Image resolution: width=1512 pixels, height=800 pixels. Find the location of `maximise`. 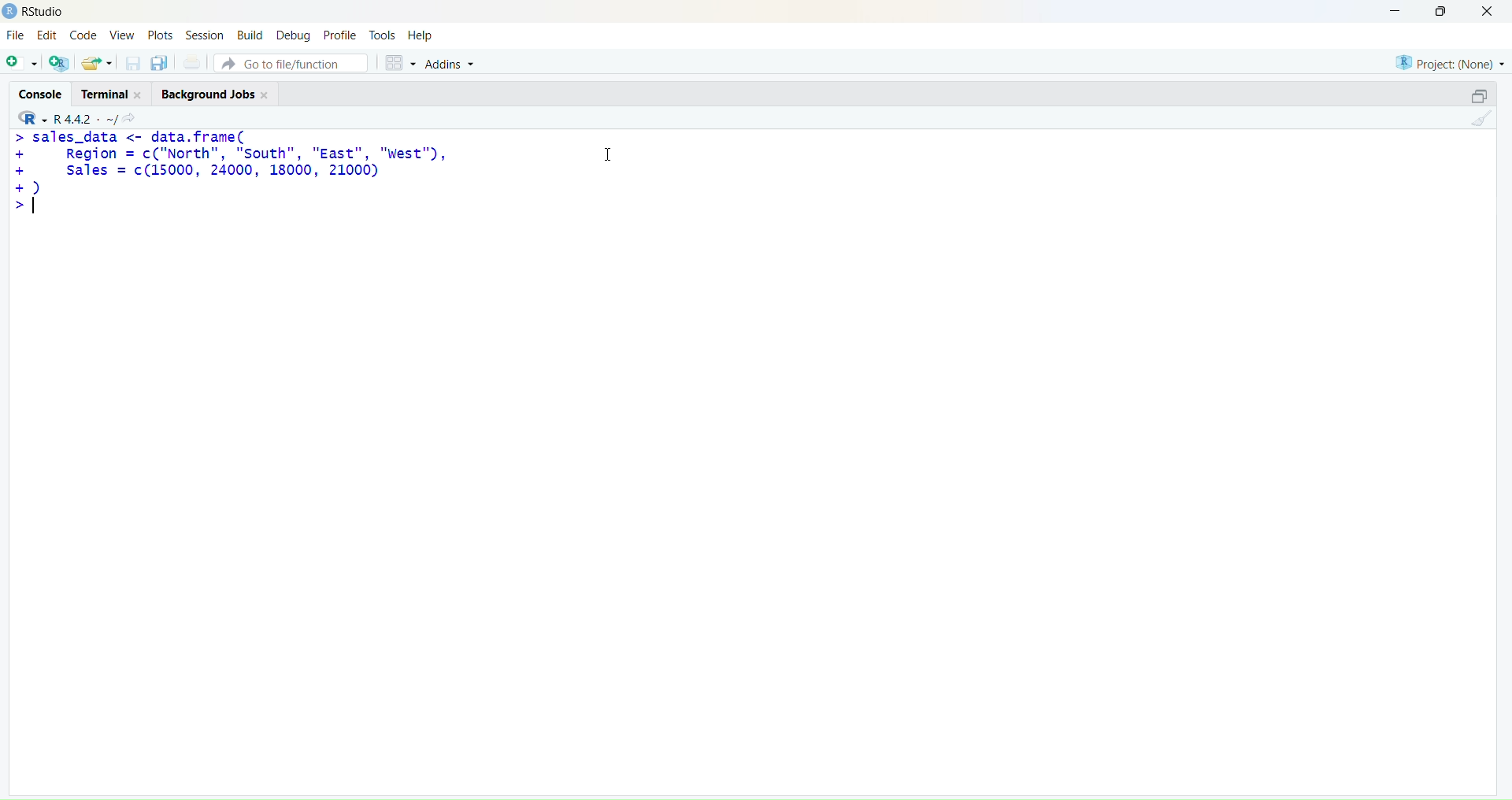

maximise is located at coordinates (1471, 94).